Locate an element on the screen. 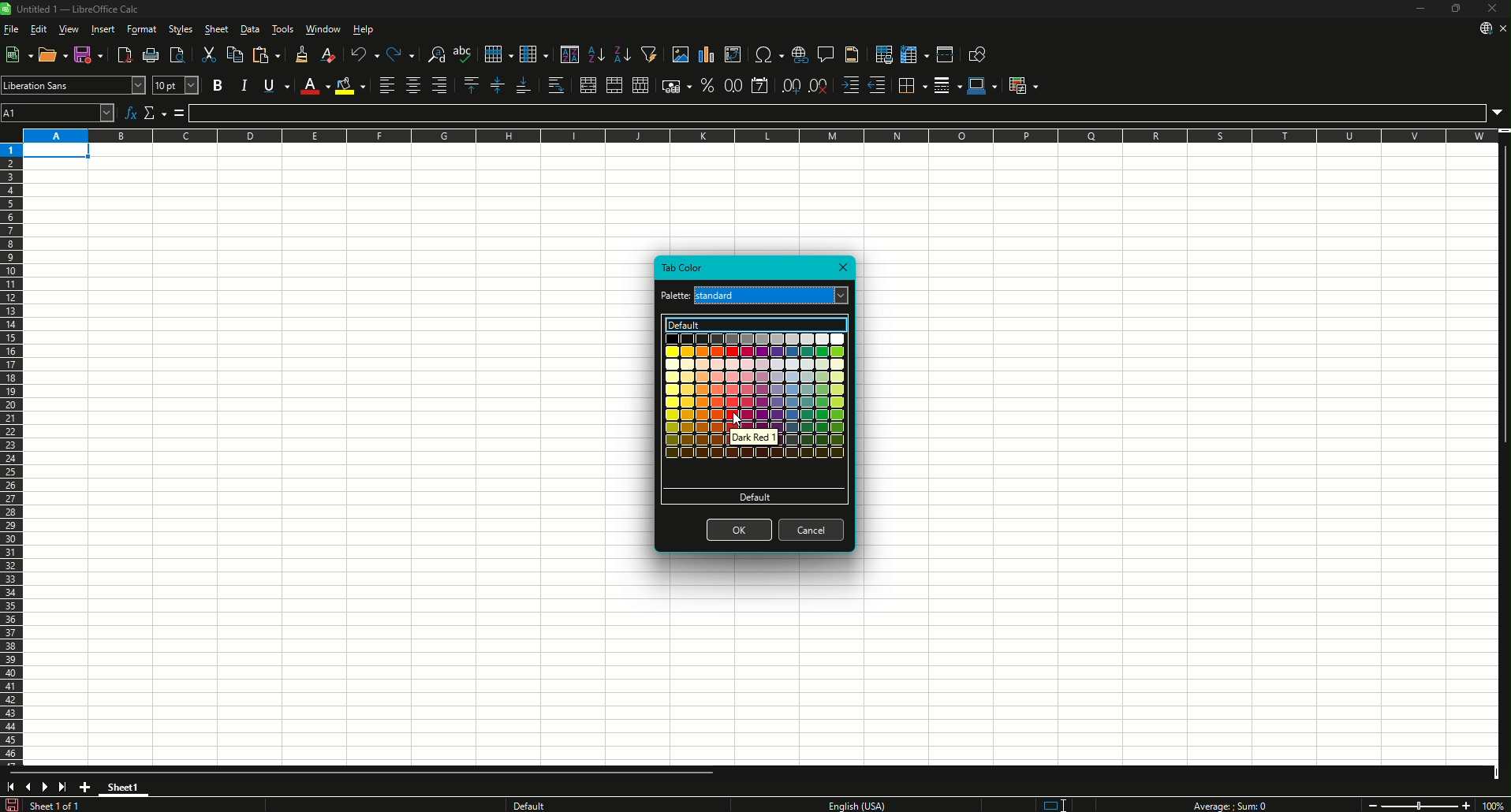 The width and height of the screenshot is (1511, 812). Zoom slider is located at coordinates (1420, 805).